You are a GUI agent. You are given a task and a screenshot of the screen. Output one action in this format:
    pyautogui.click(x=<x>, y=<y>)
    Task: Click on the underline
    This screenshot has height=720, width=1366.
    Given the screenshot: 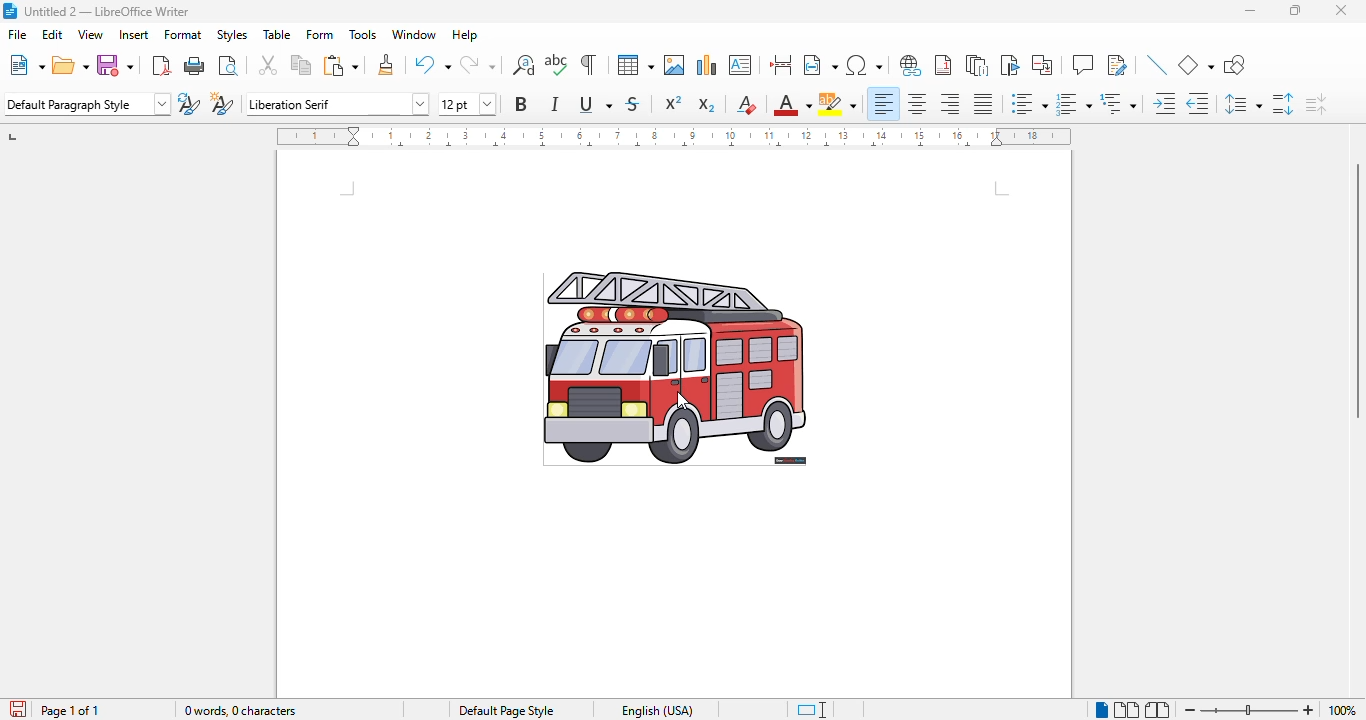 What is the action you would take?
    pyautogui.click(x=596, y=104)
    